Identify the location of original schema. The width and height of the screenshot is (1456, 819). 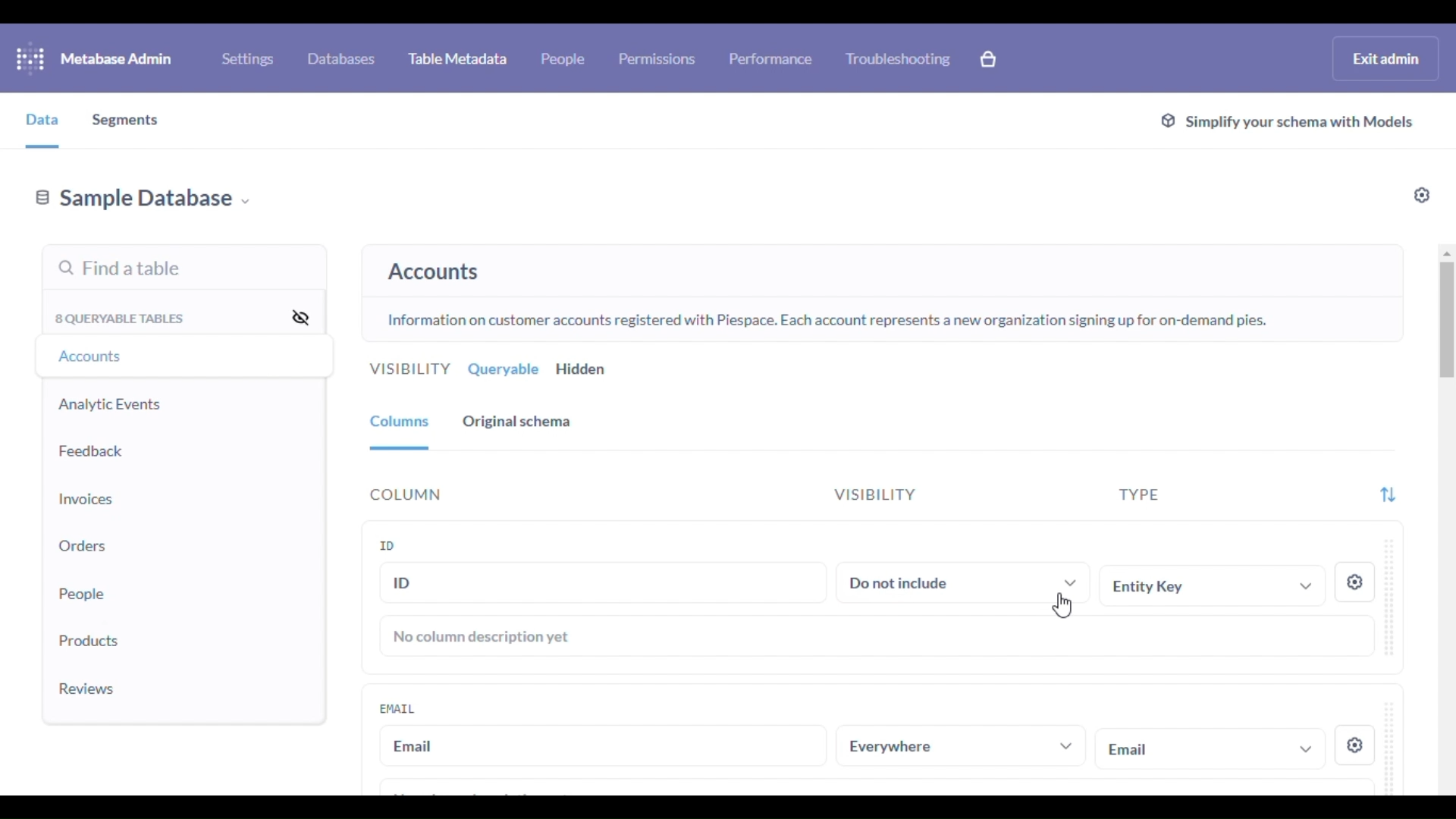
(517, 422).